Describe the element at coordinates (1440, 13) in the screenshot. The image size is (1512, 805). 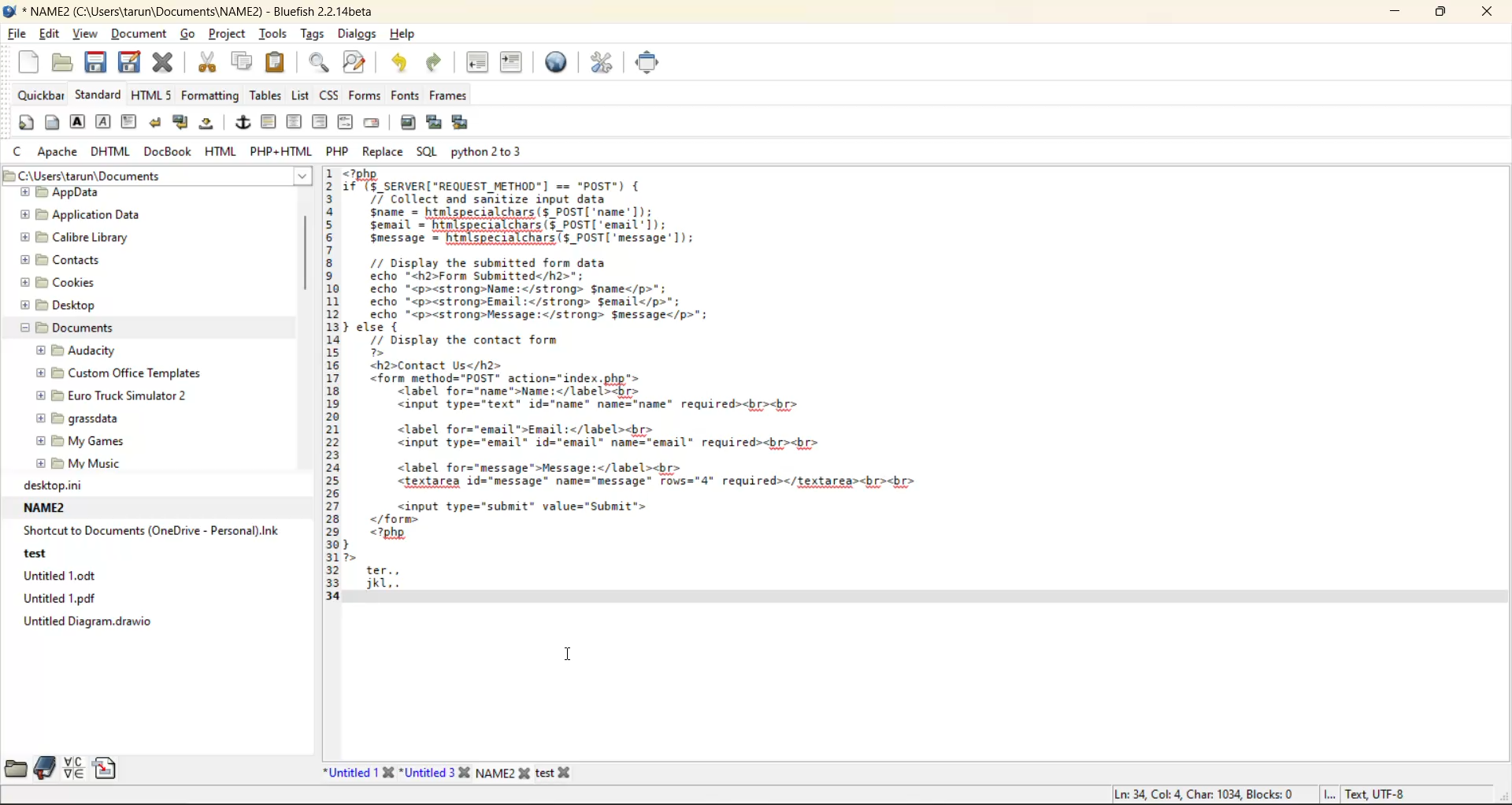
I see `maximize` at that location.